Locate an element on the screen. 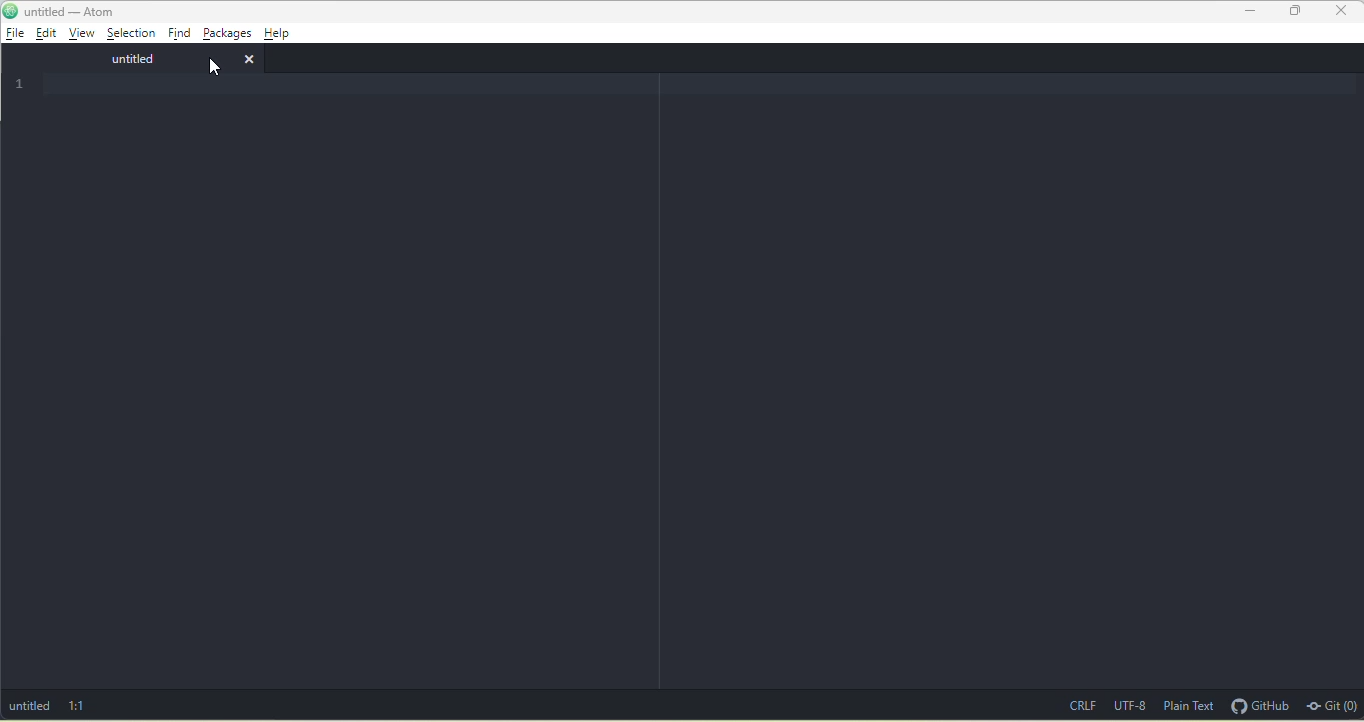 The height and width of the screenshot is (722, 1364). cursor is located at coordinates (213, 65).